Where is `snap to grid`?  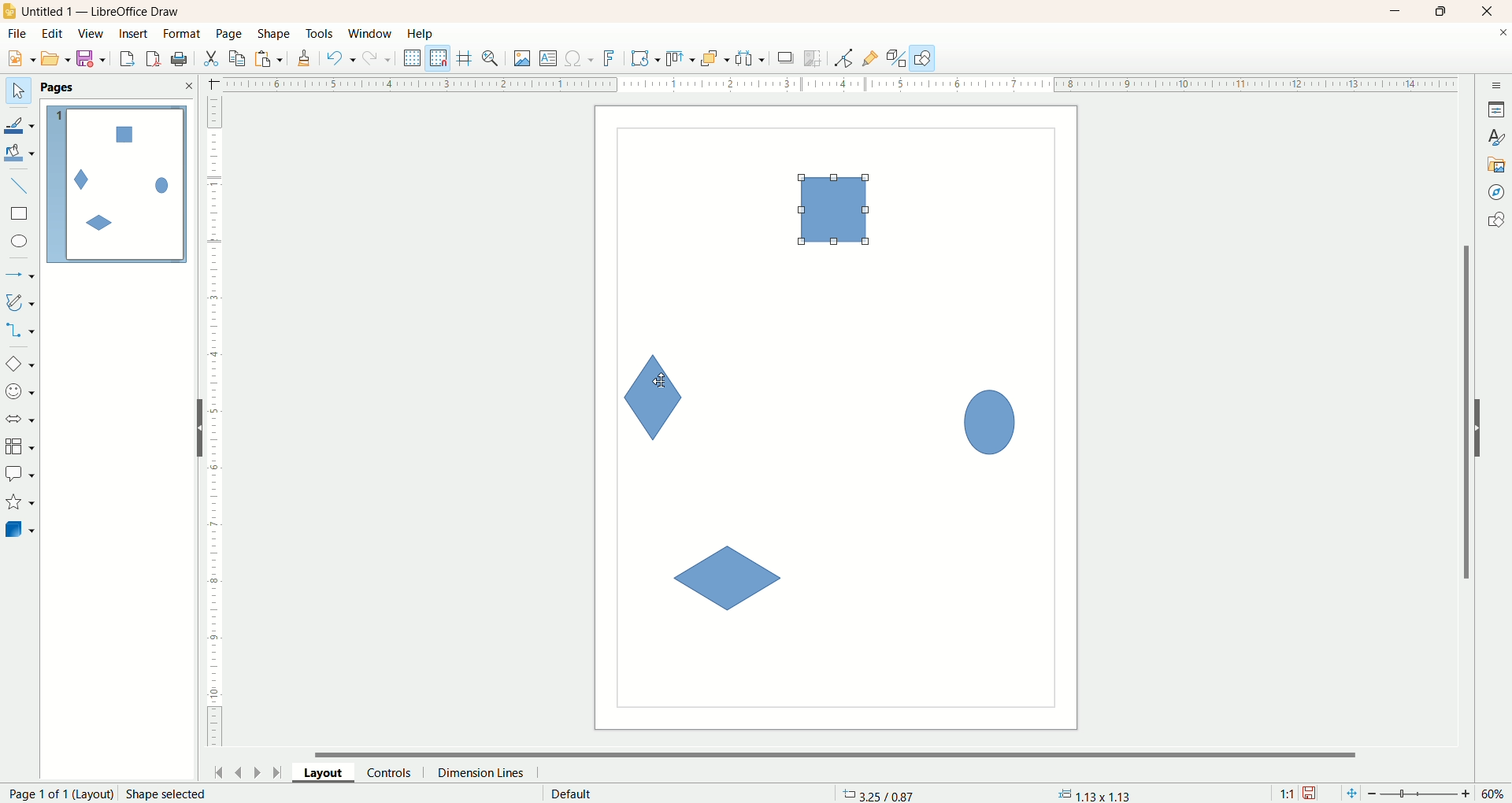 snap to grid is located at coordinates (442, 58).